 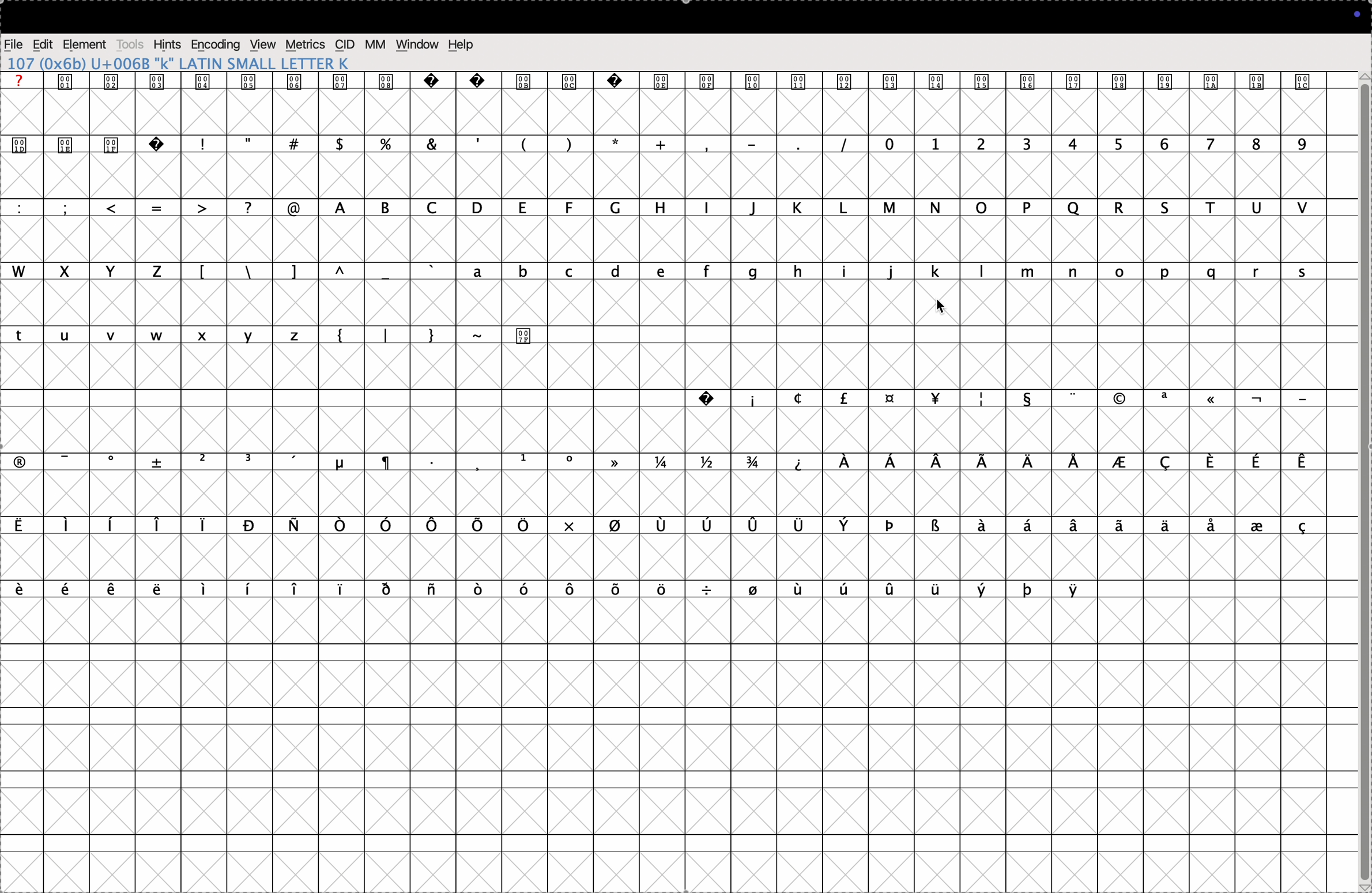 I want to click on :, so click(x=19, y=205).